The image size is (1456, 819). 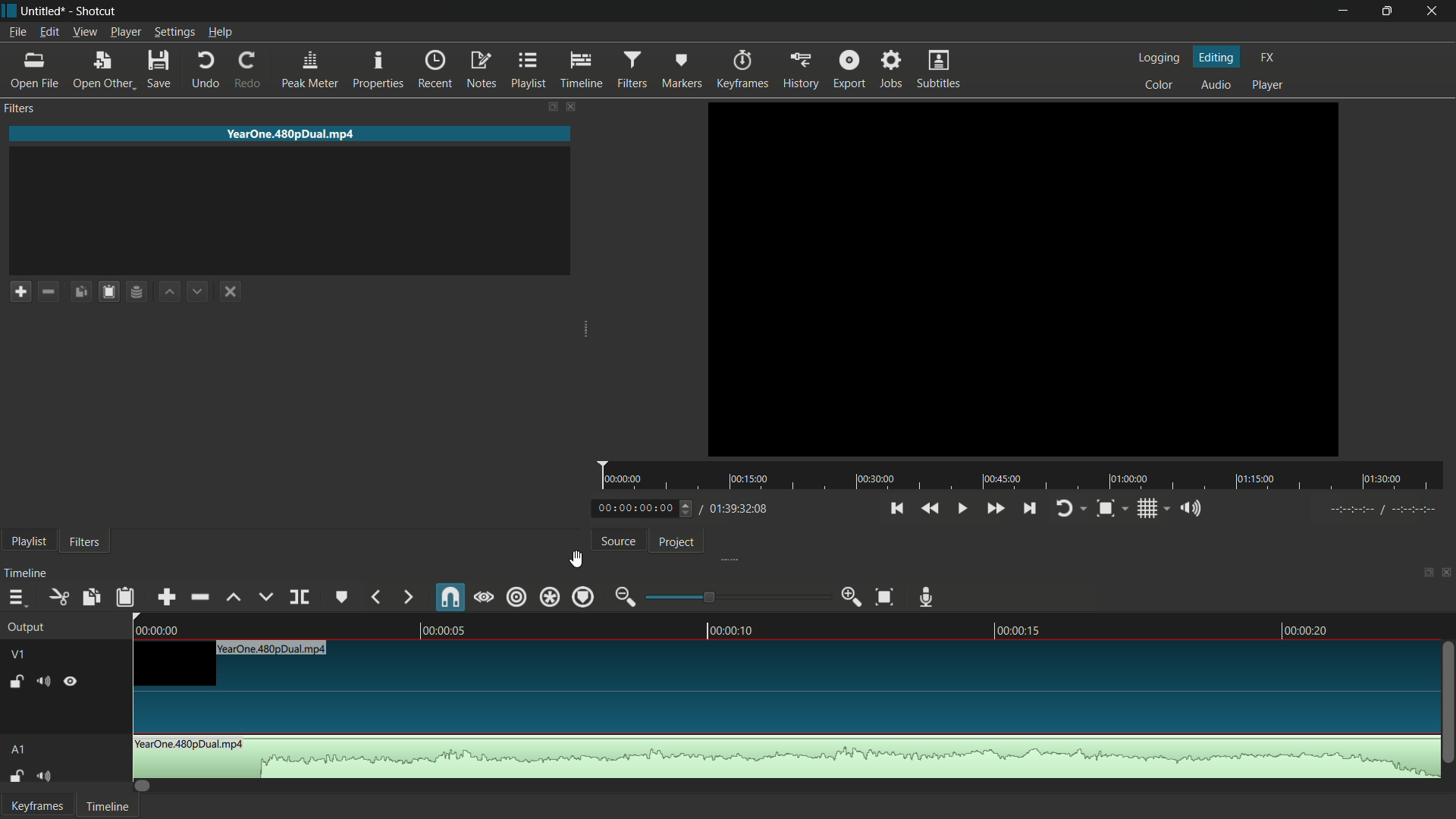 What do you see at coordinates (1194, 509) in the screenshot?
I see `show volume control` at bounding box center [1194, 509].